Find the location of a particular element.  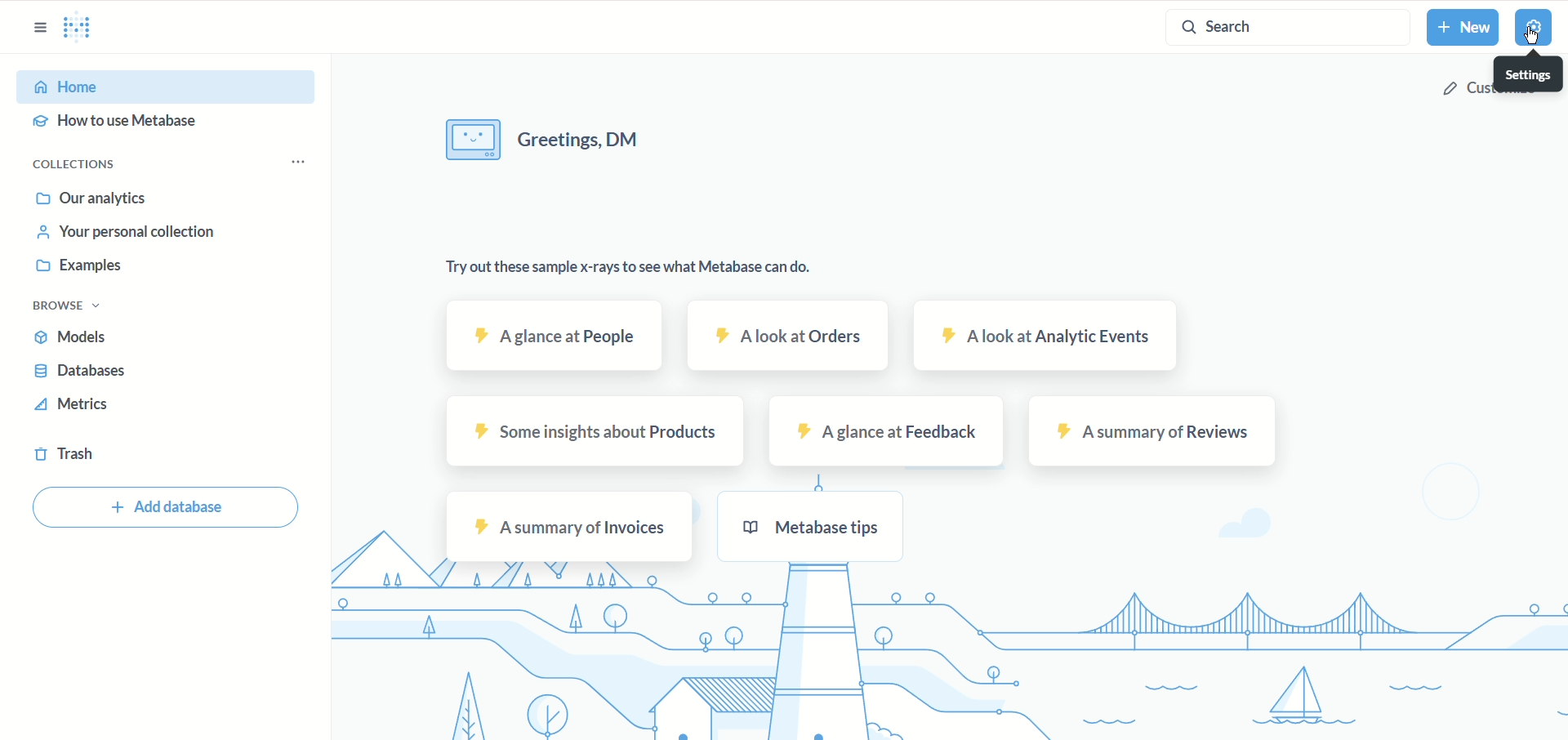

Search is located at coordinates (1272, 28).